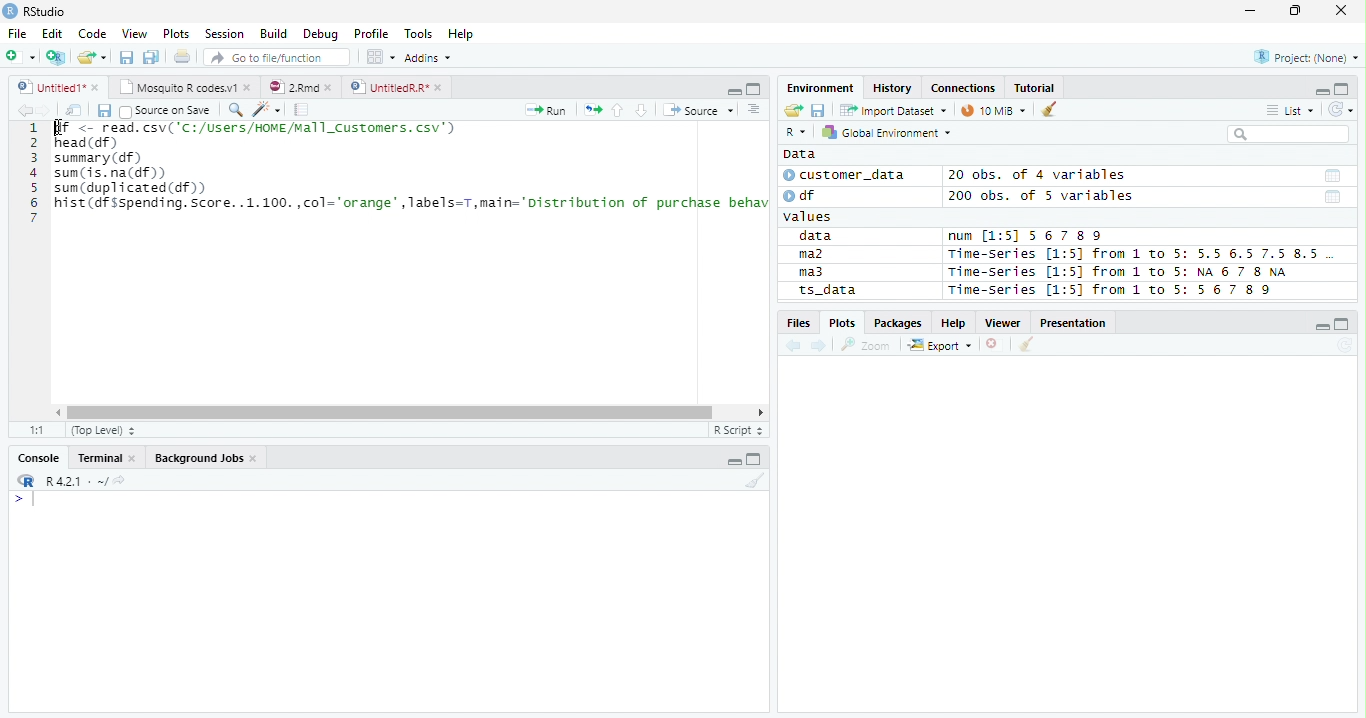 Image resolution: width=1366 pixels, height=718 pixels. What do you see at coordinates (866, 345) in the screenshot?
I see `Zoom` at bounding box center [866, 345].